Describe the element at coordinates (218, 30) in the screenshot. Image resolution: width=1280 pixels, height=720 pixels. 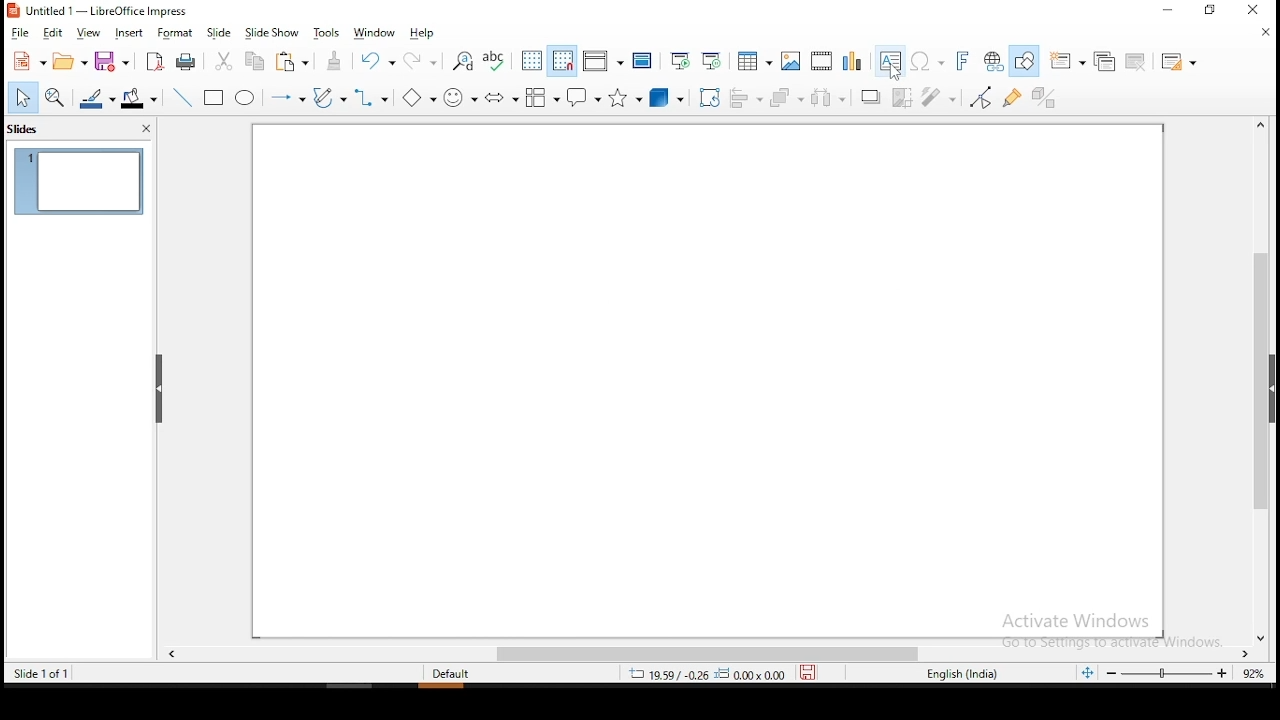
I see `slide` at that location.